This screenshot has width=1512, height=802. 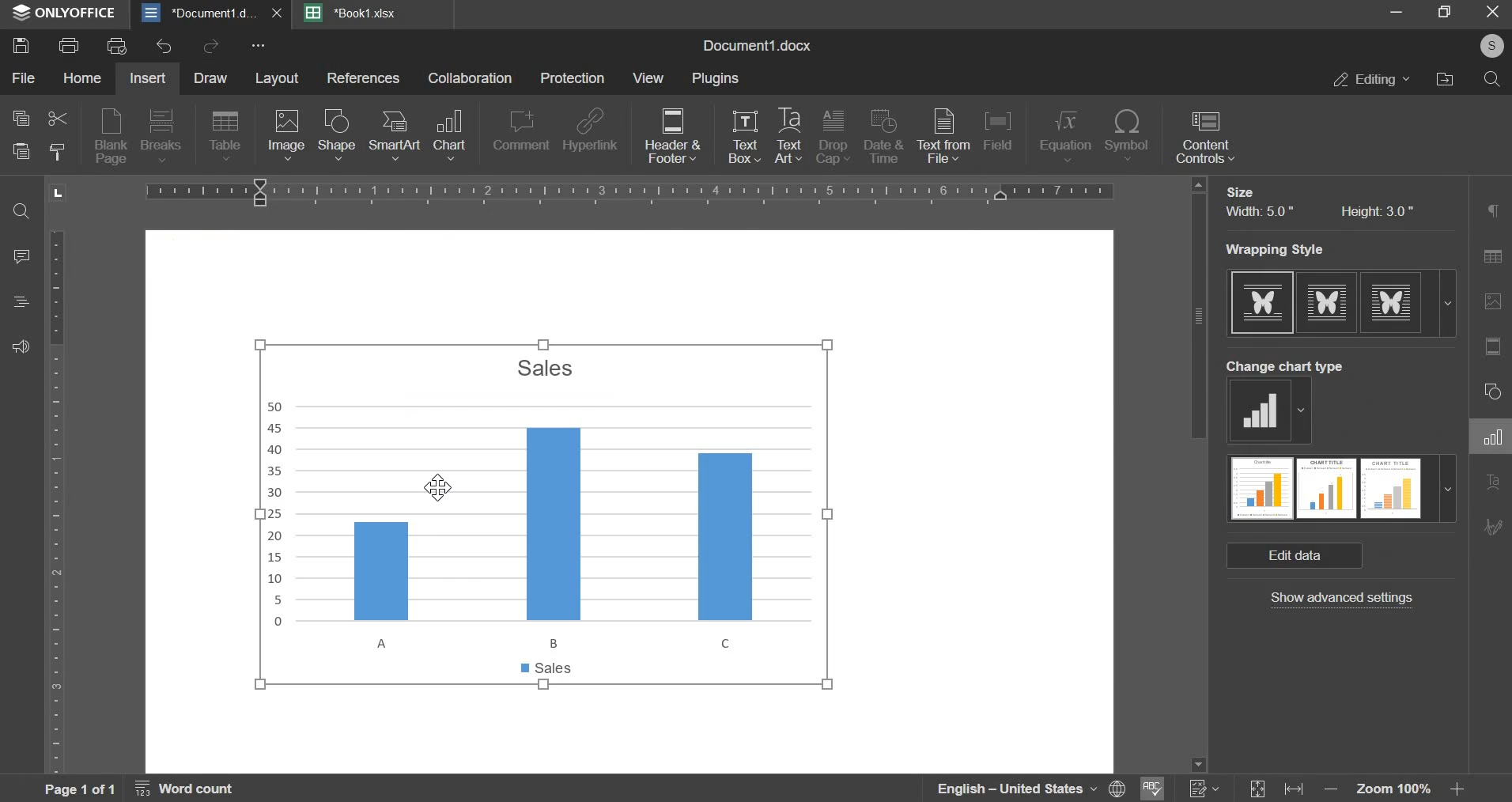 What do you see at coordinates (58, 151) in the screenshot?
I see `copy style` at bounding box center [58, 151].